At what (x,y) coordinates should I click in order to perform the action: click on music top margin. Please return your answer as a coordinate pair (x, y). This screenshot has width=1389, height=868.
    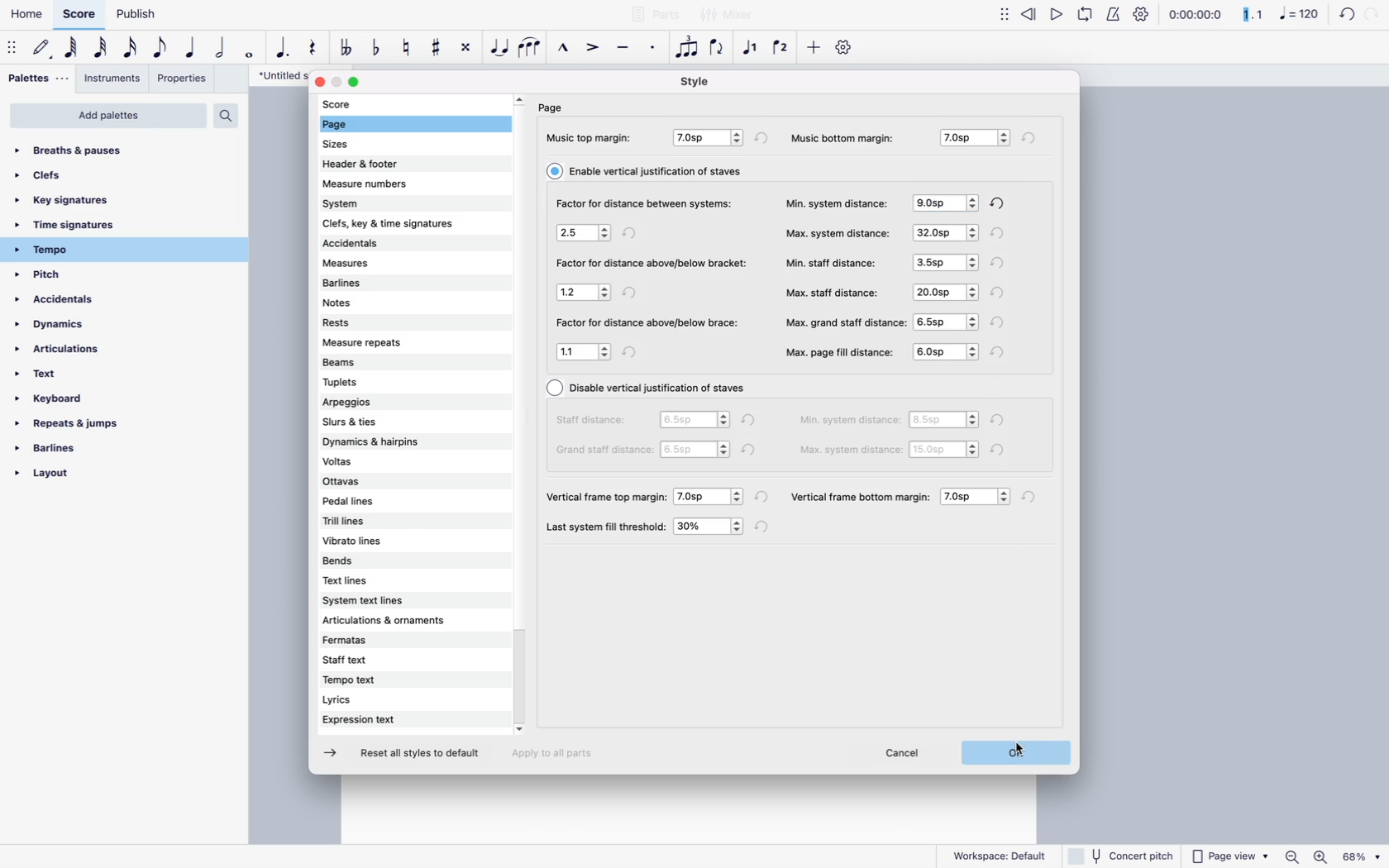
    Looking at the image, I should click on (591, 137).